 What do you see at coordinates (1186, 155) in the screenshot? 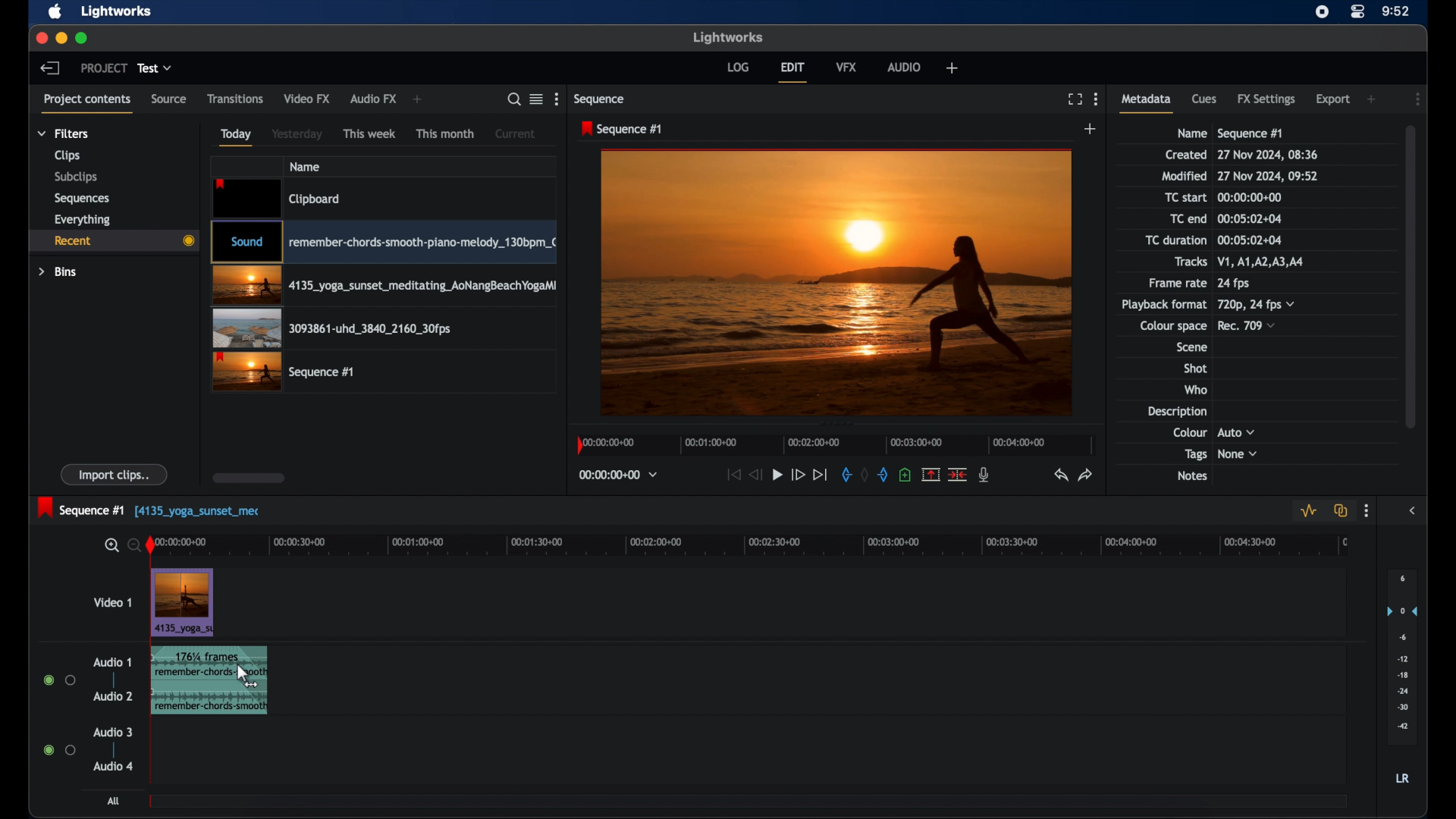
I see `created` at bounding box center [1186, 155].